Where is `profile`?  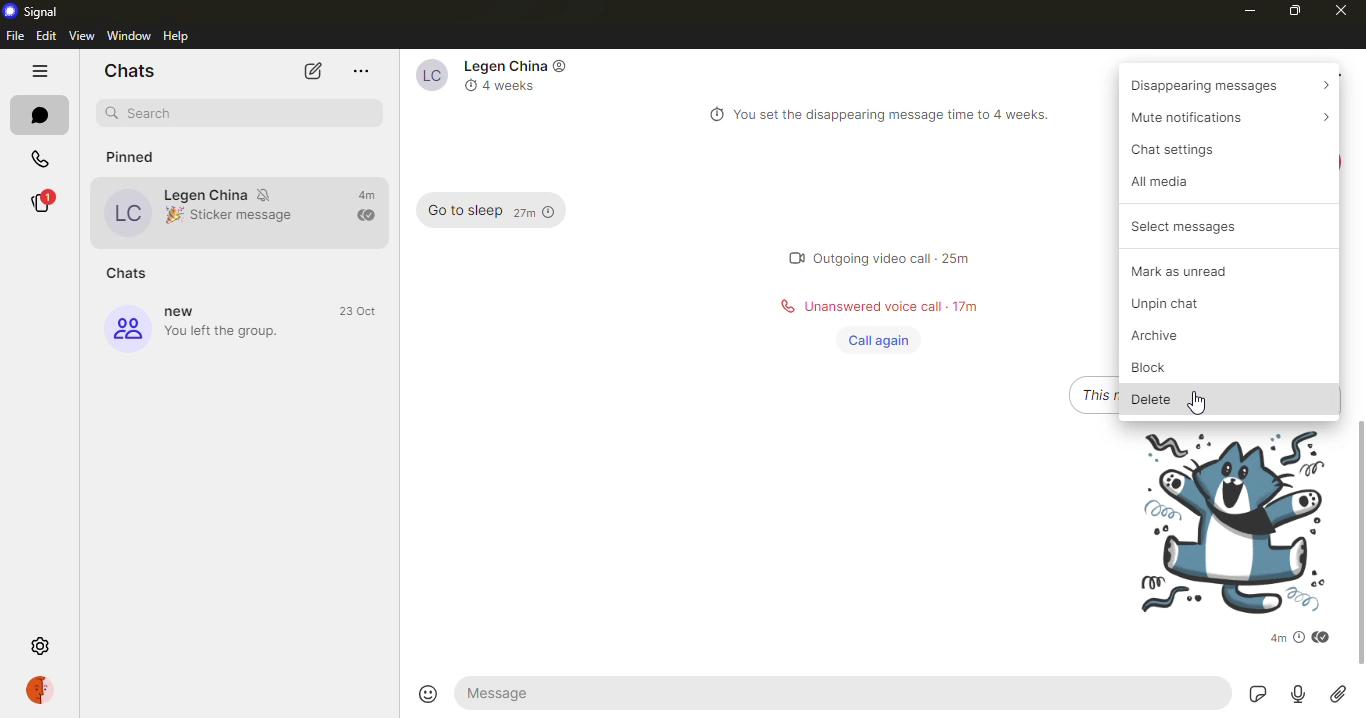
profile is located at coordinates (41, 690).